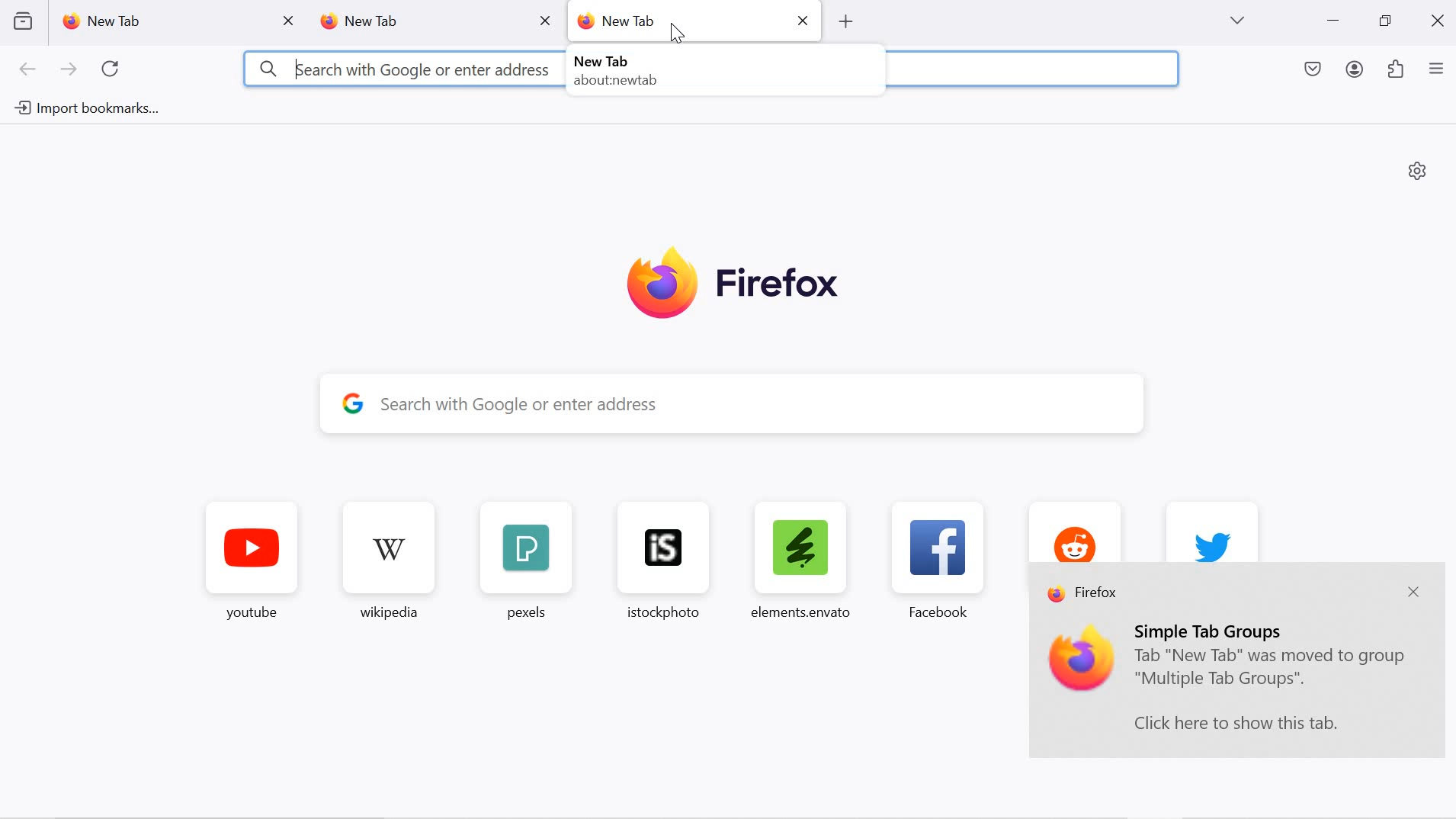 The height and width of the screenshot is (819, 1456). Describe the element at coordinates (1413, 593) in the screenshot. I see `close` at that location.